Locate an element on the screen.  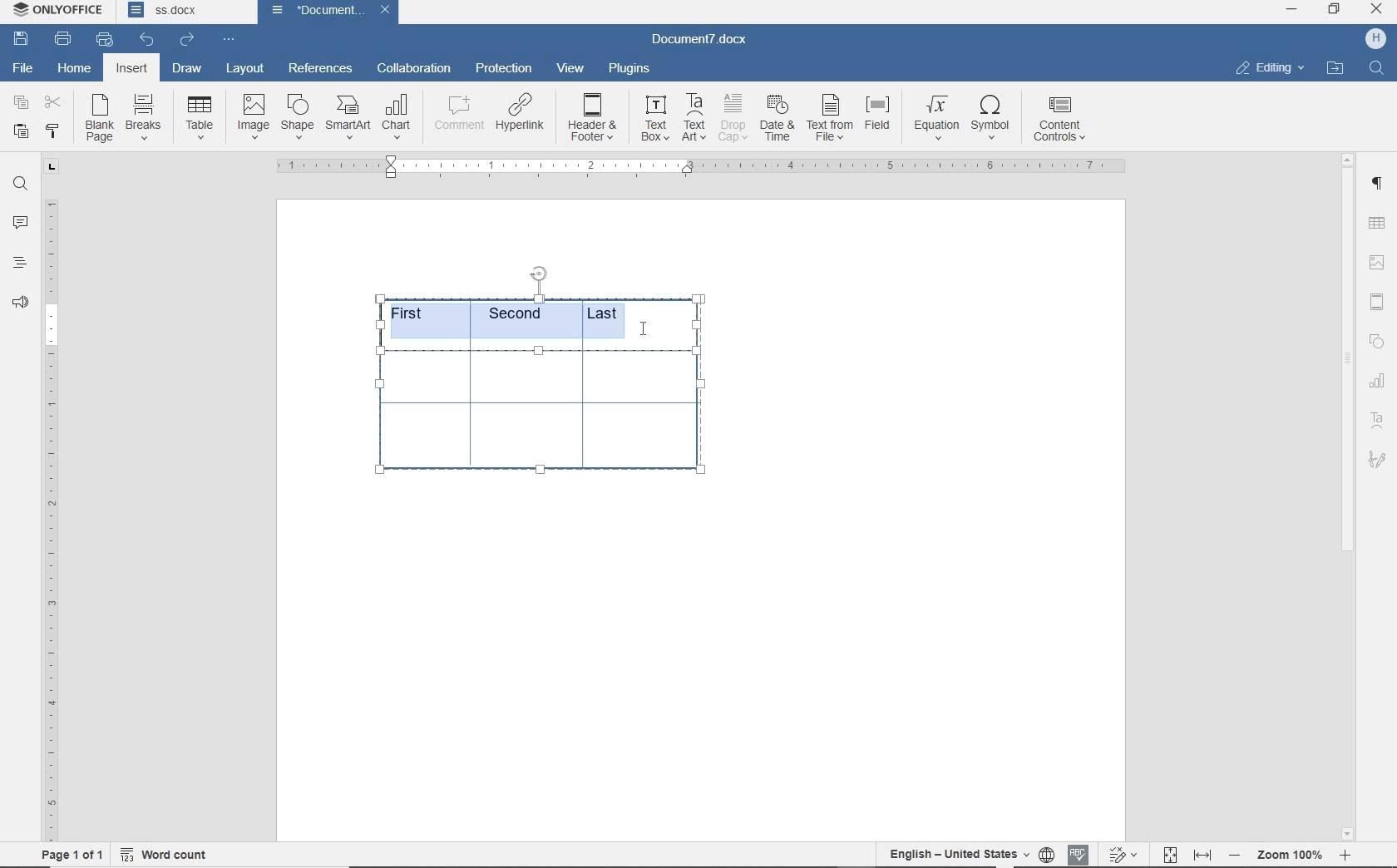
view is located at coordinates (571, 69).